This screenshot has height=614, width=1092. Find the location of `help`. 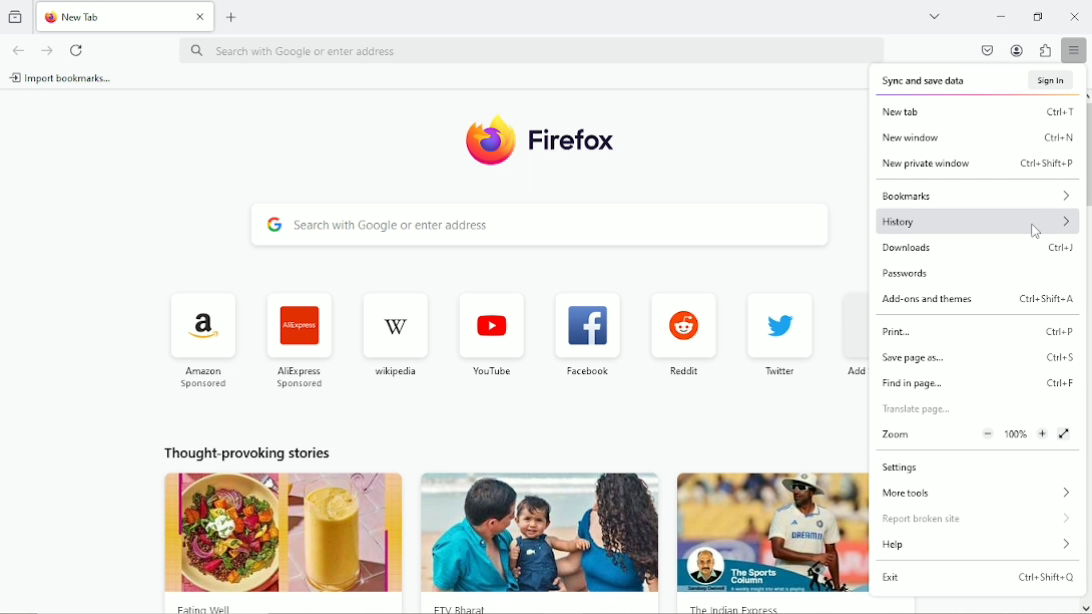

help is located at coordinates (983, 545).